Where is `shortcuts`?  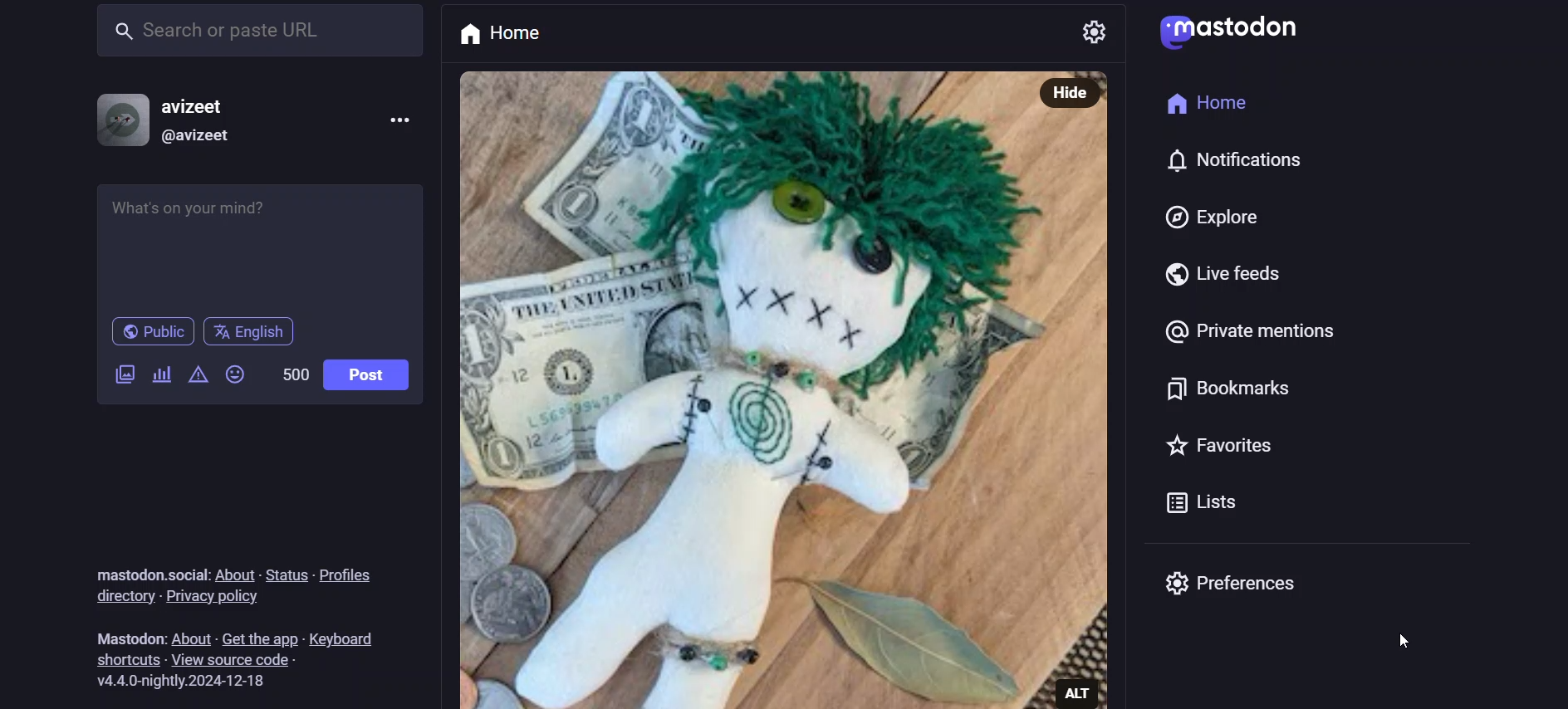 shortcuts is located at coordinates (128, 658).